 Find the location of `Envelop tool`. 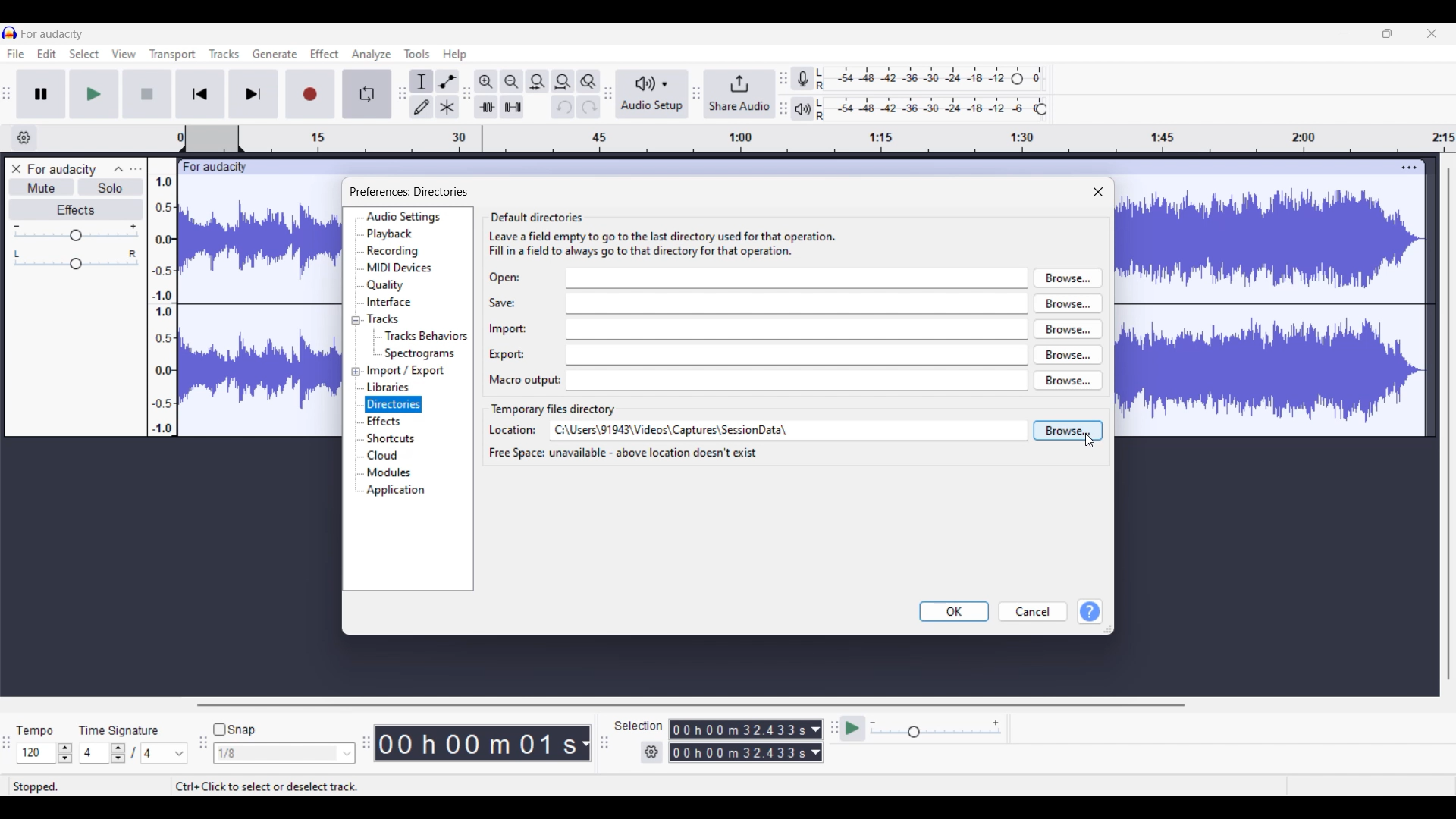

Envelop tool is located at coordinates (447, 82).